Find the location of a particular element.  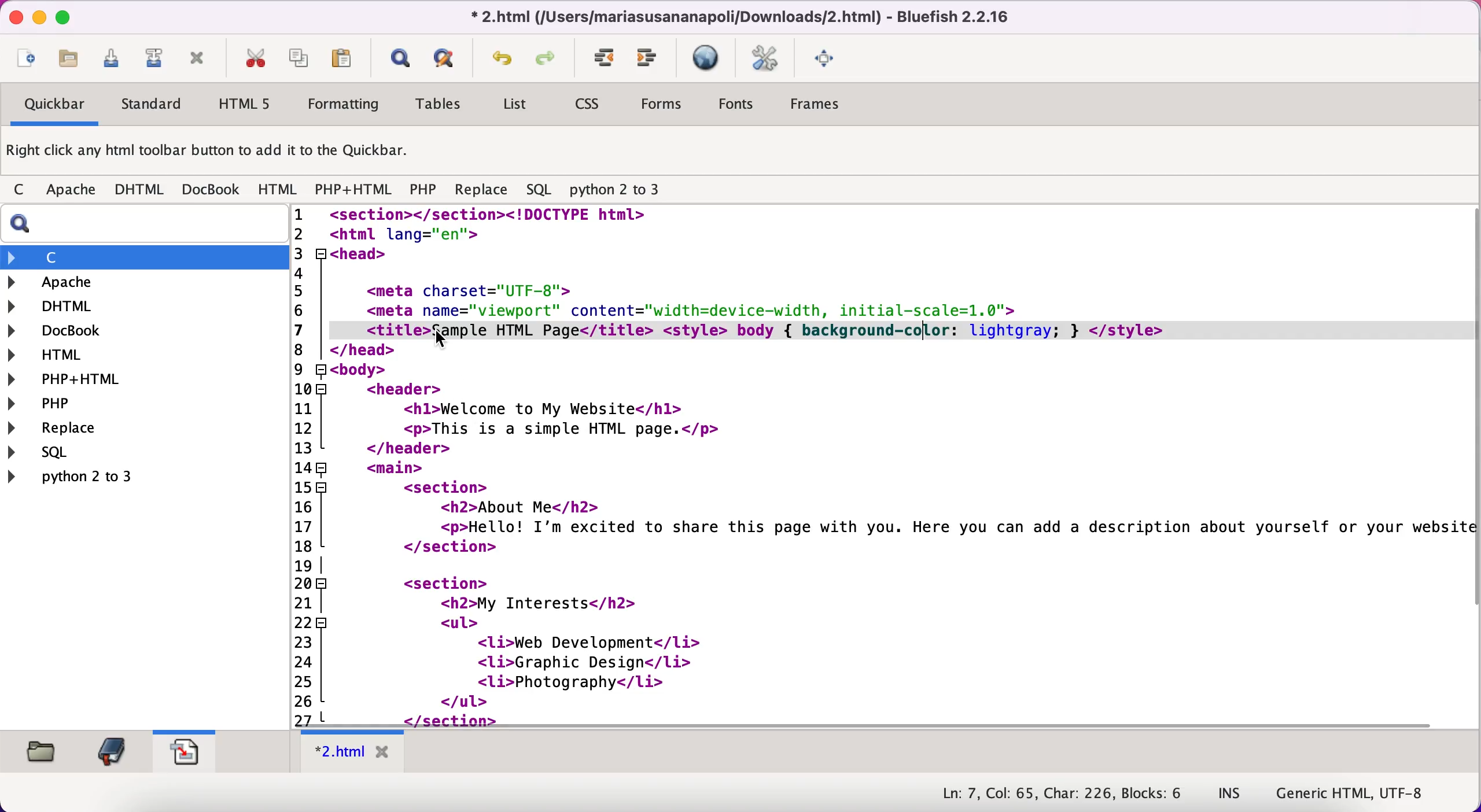

dhtml is located at coordinates (58, 305).